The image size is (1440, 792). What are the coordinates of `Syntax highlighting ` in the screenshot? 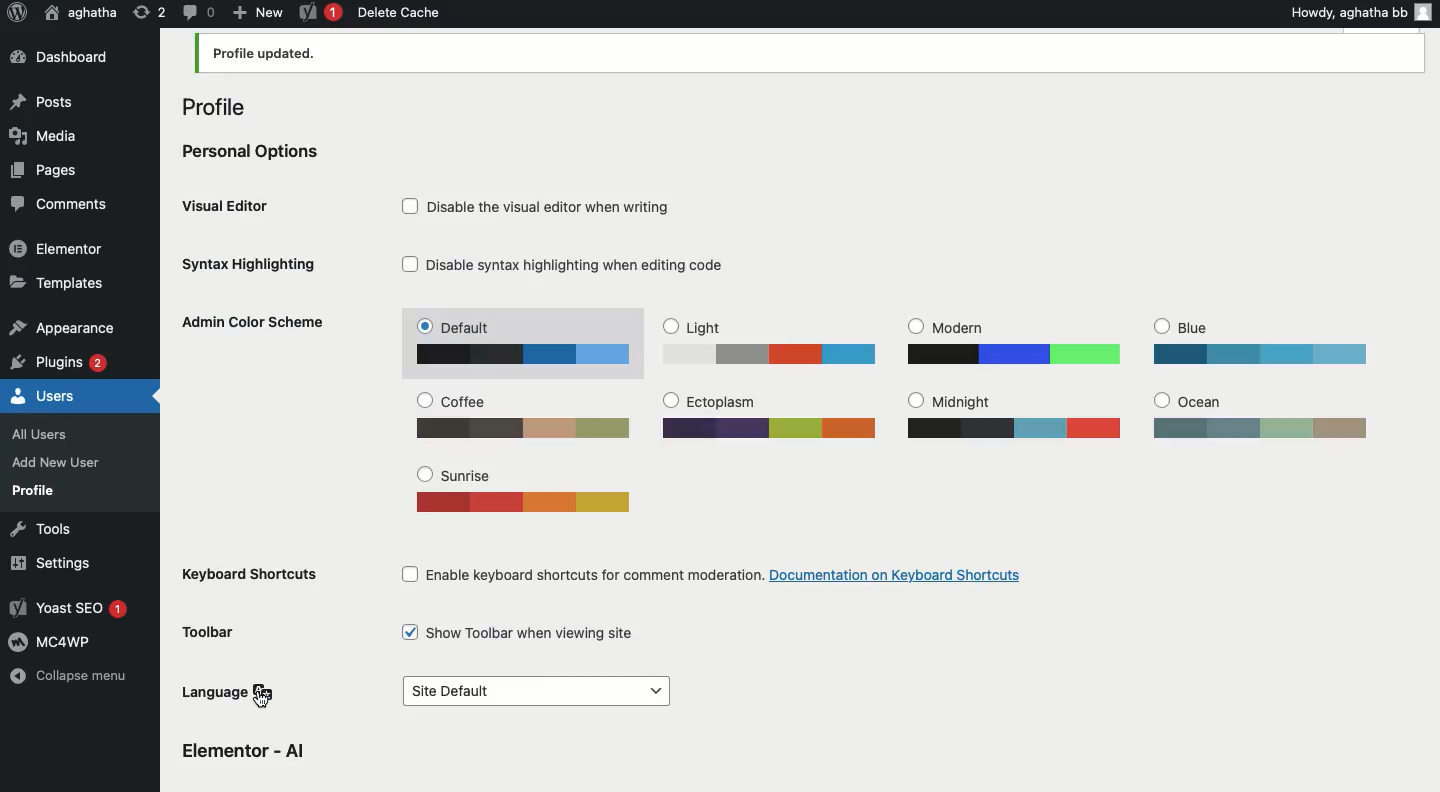 It's located at (265, 261).